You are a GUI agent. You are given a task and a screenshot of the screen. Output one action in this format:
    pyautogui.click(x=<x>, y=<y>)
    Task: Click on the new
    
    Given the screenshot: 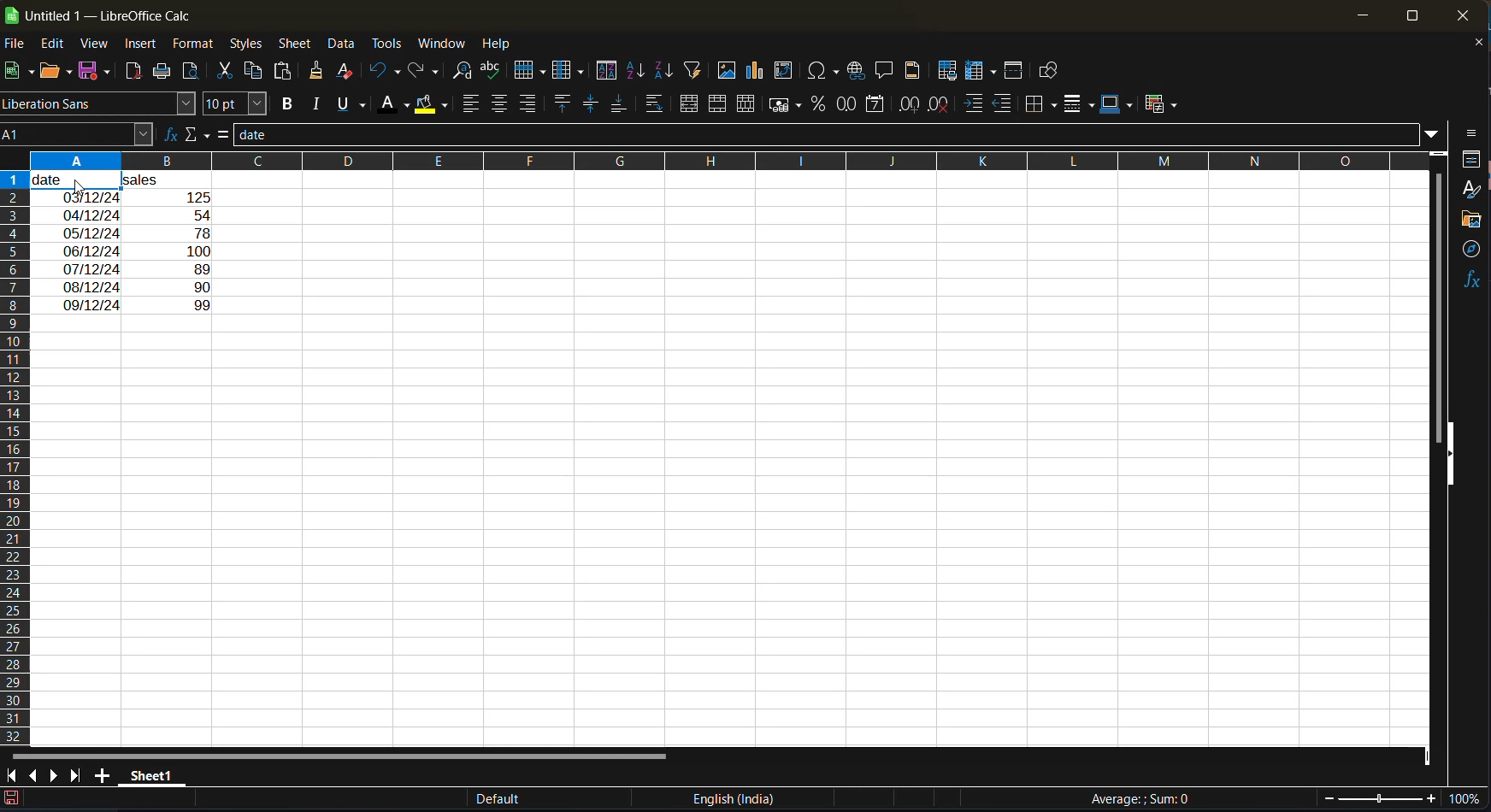 What is the action you would take?
    pyautogui.click(x=15, y=72)
    